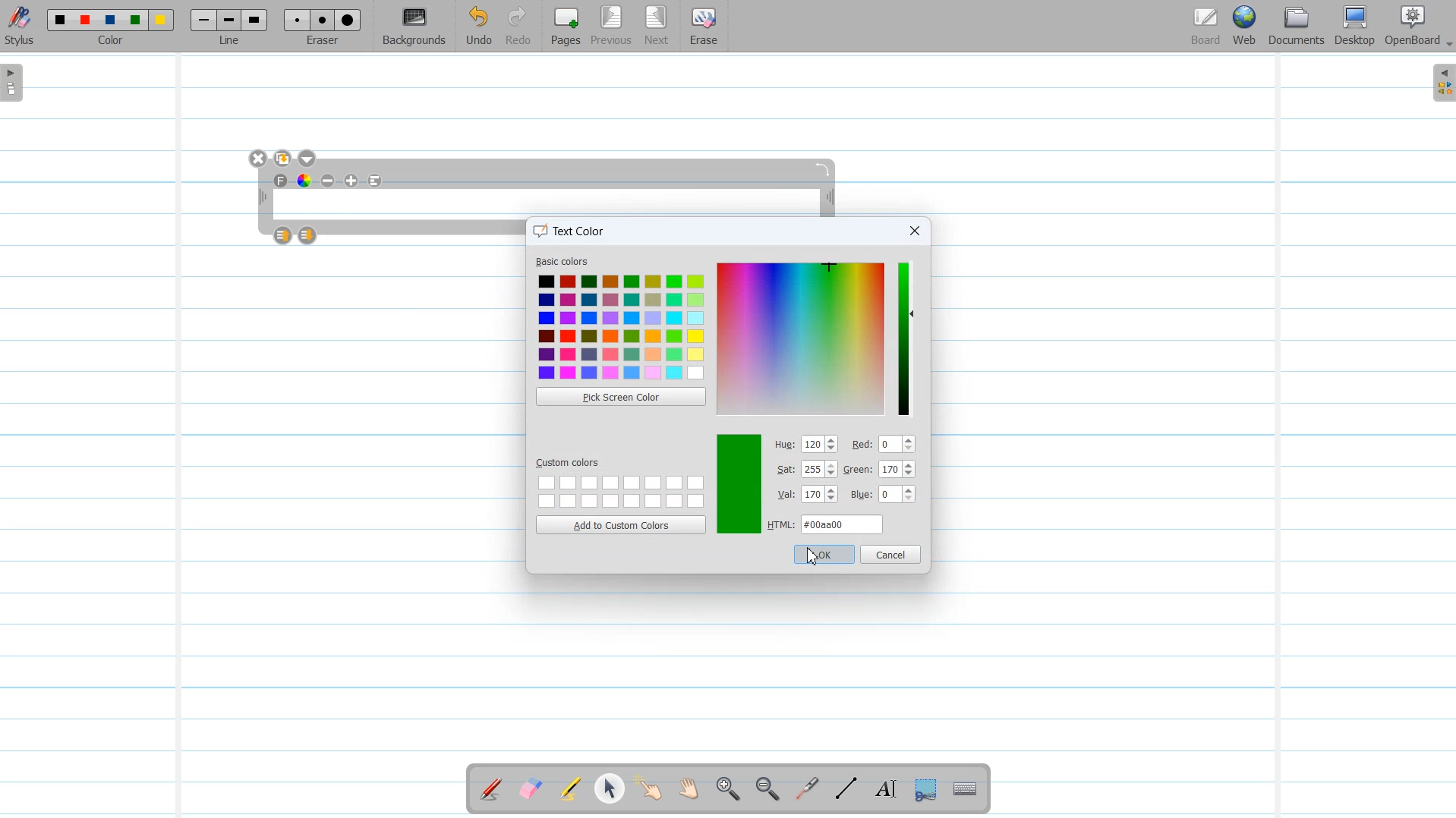 The height and width of the screenshot is (818, 1456). I want to click on Scroll Page, so click(689, 790).